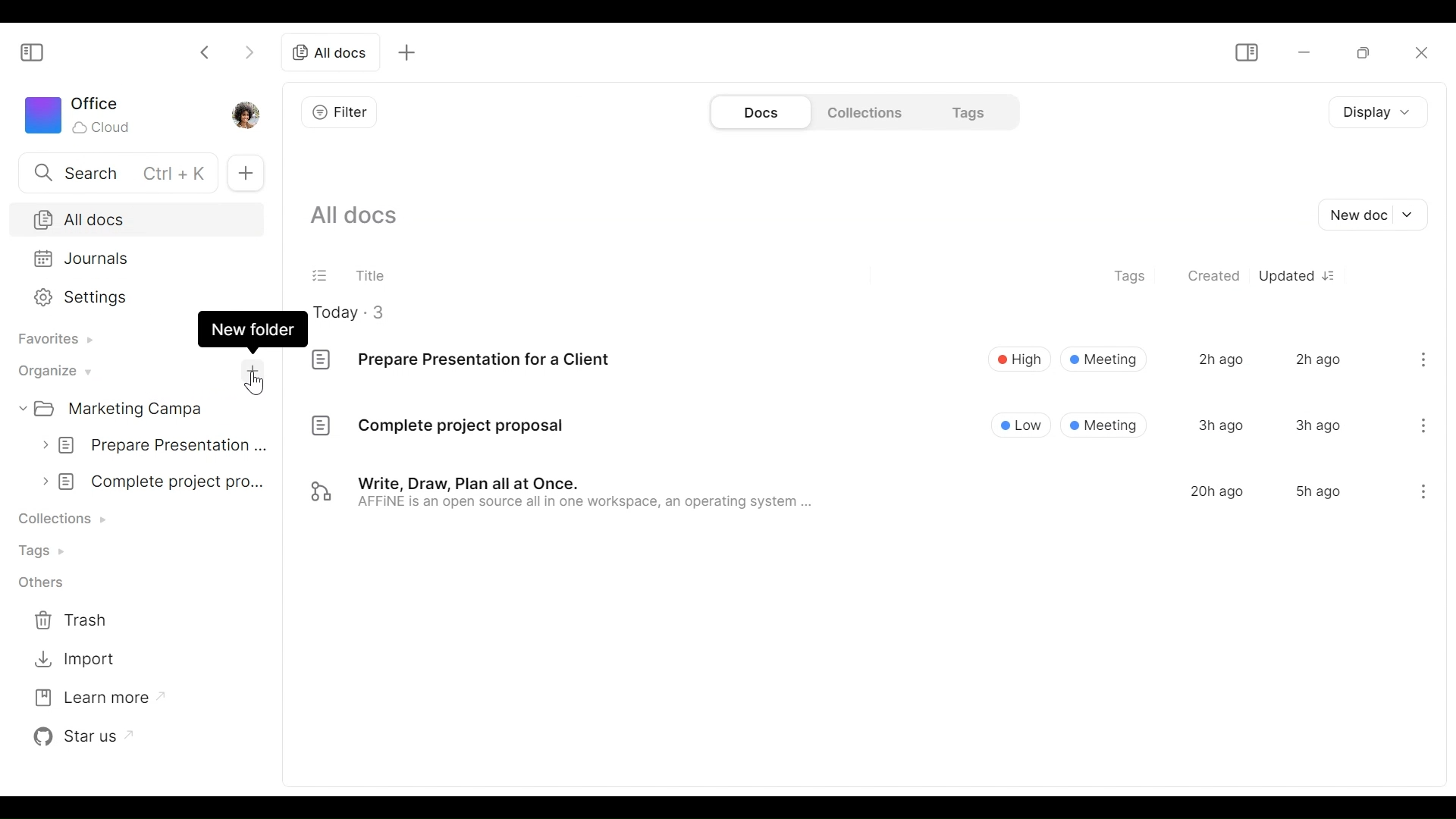  What do you see at coordinates (75, 622) in the screenshot?
I see `Trash` at bounding box center [75, 622].